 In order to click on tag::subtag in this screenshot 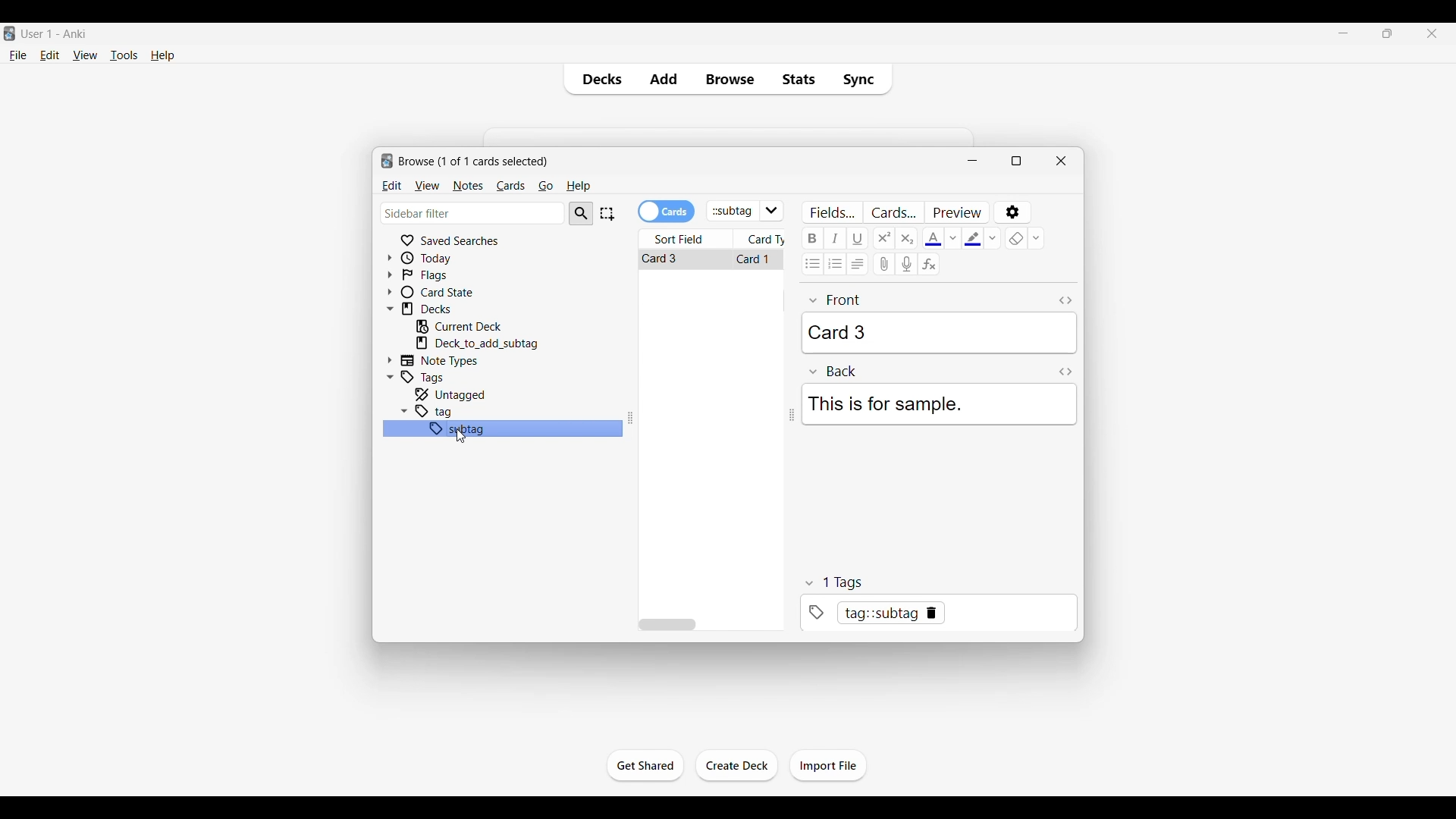, I will do `click(935, 614)`.